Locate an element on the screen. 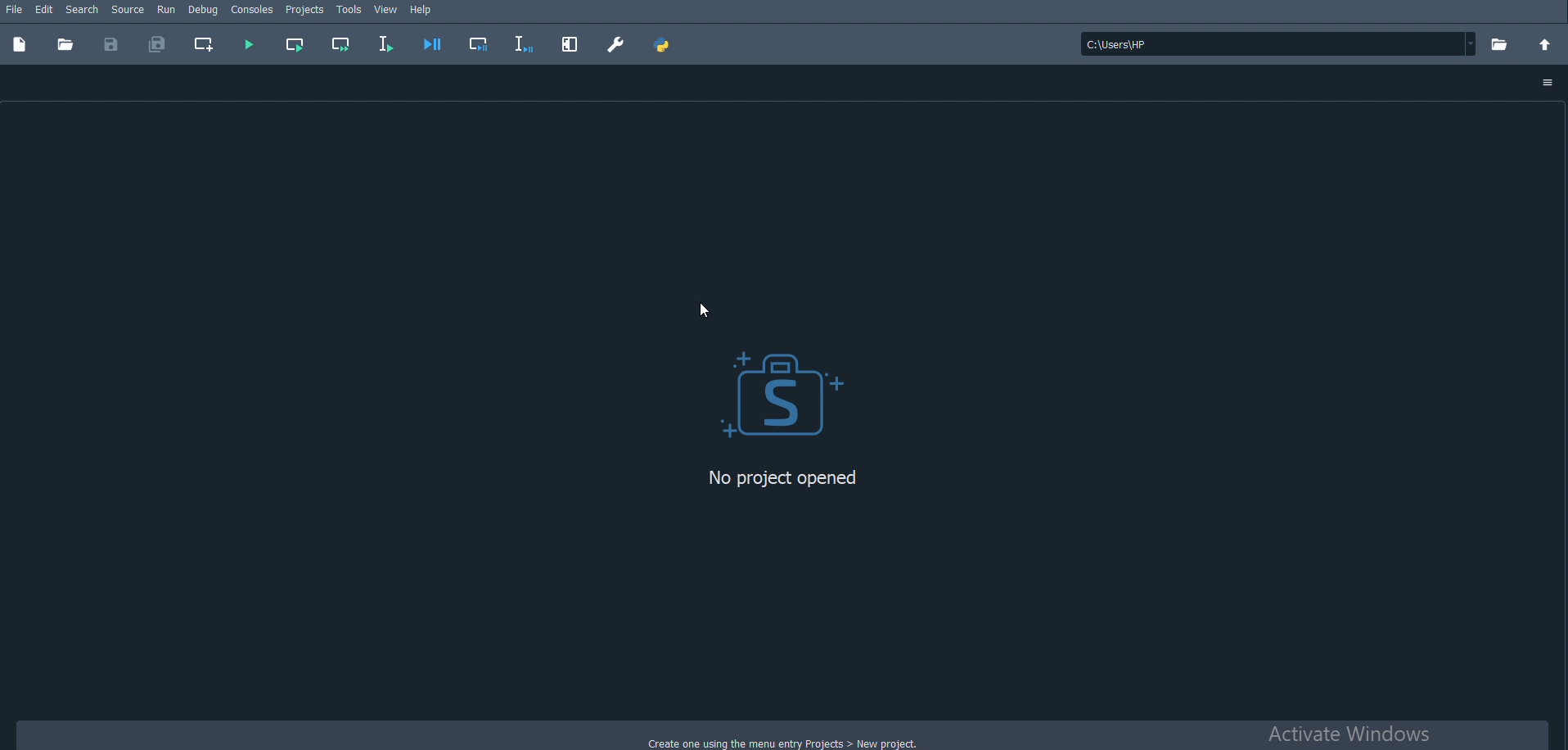 The height and width of the screenshot is (750, 1568). Cursor is located at coordinates (712, 309).